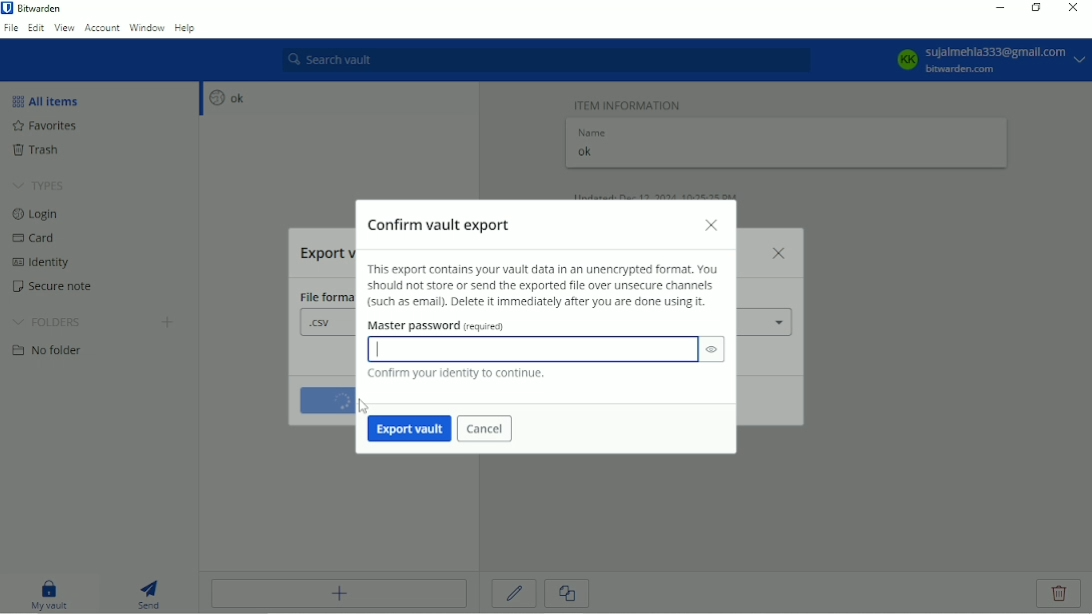  What do you see at coordinates (997, 8) in the screenshot?
I see `Minimize` at bounding box center [997, 8].